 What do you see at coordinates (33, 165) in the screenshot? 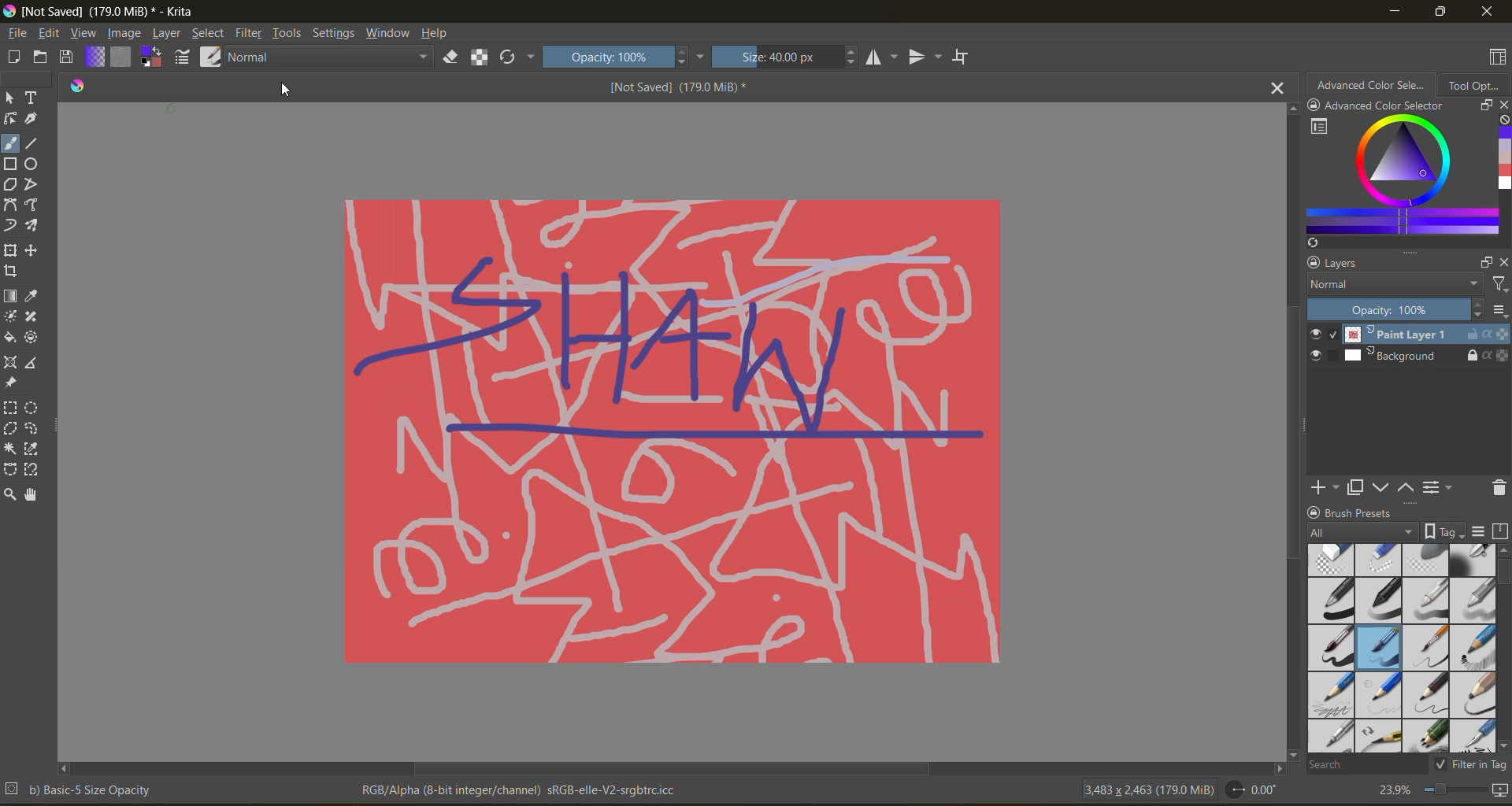
I see `ellipse tool` at bounding box center [33, 165].